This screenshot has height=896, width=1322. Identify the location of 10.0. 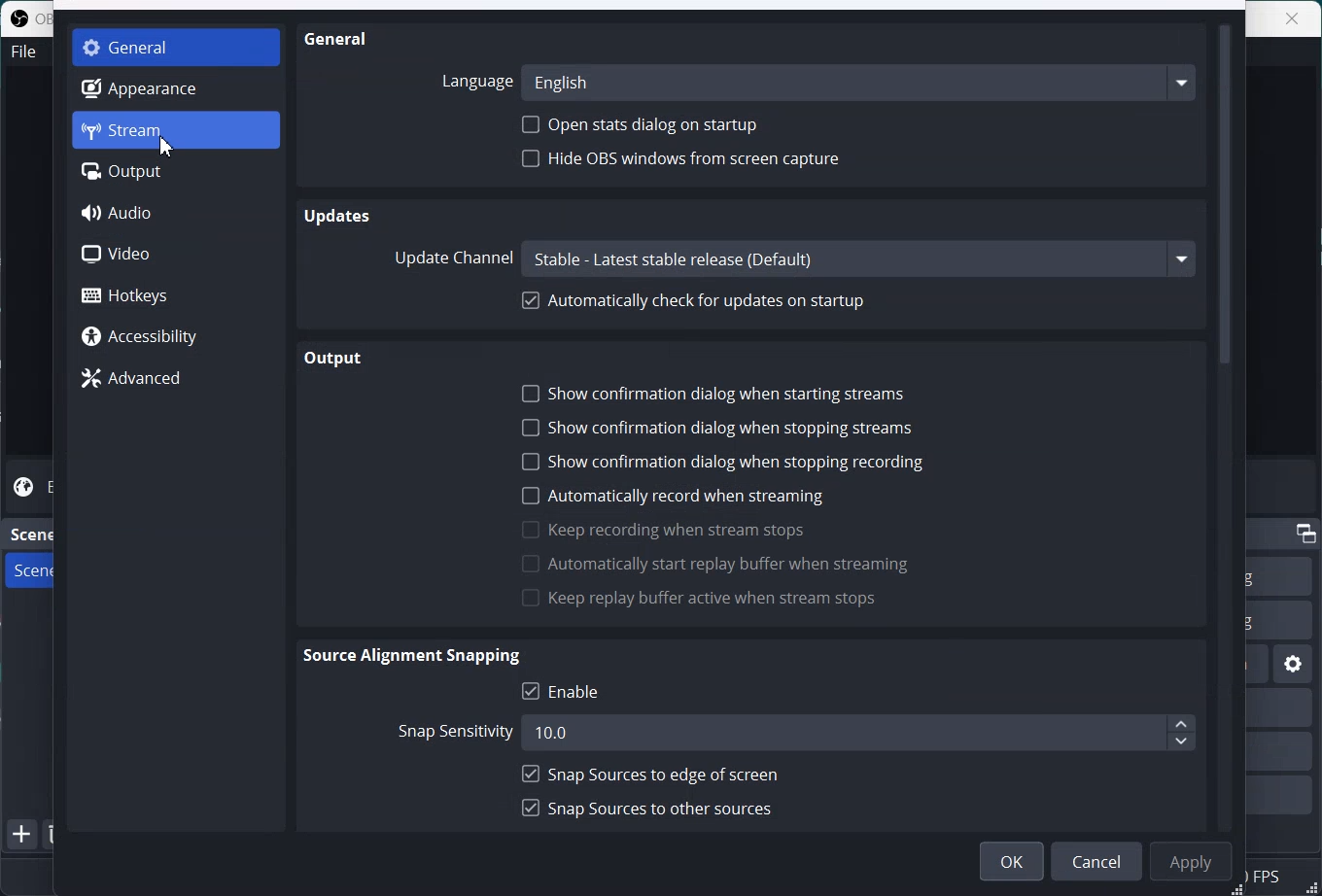
(861, 732).